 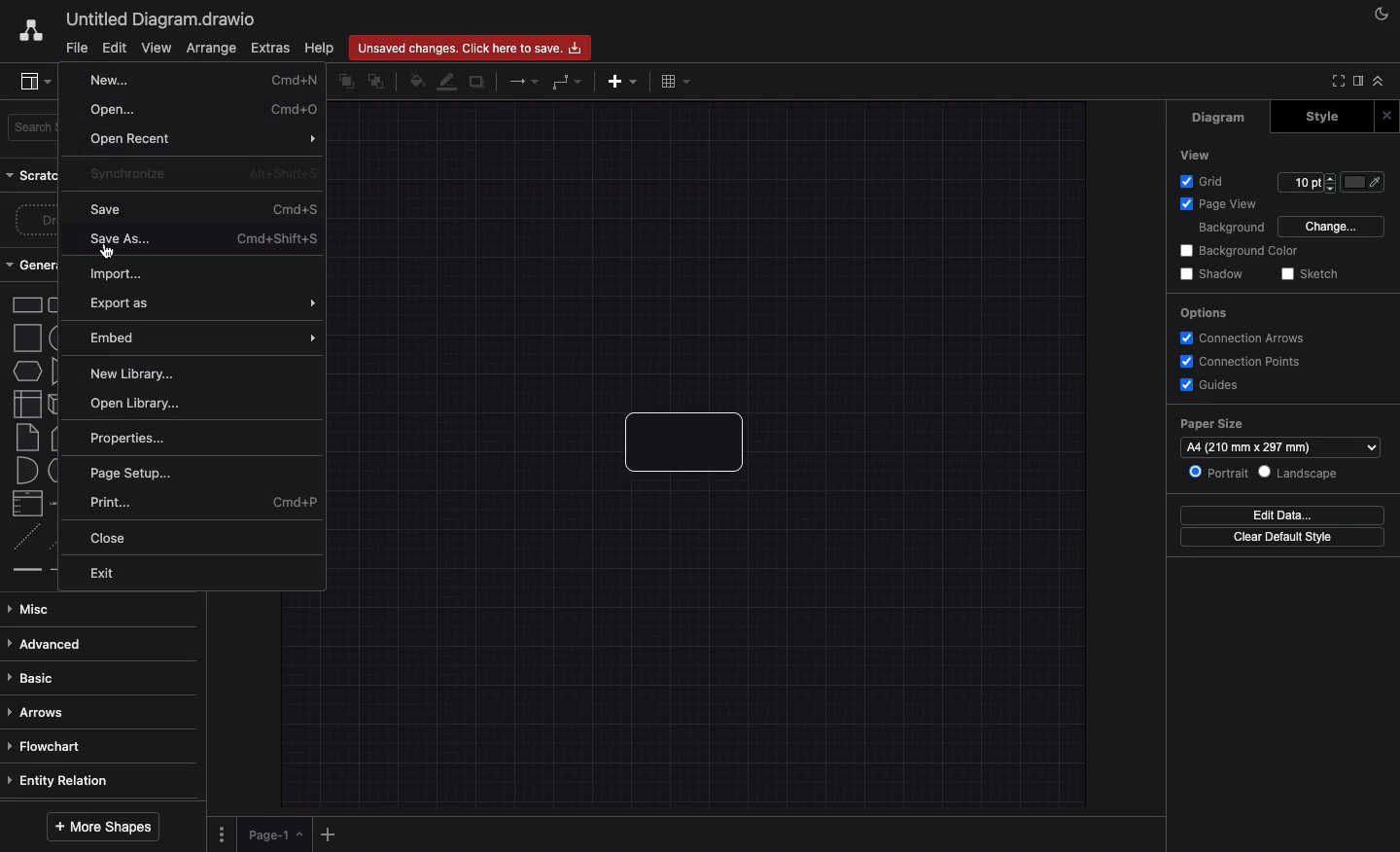 I want to click on General, so click(x=35, y=264).